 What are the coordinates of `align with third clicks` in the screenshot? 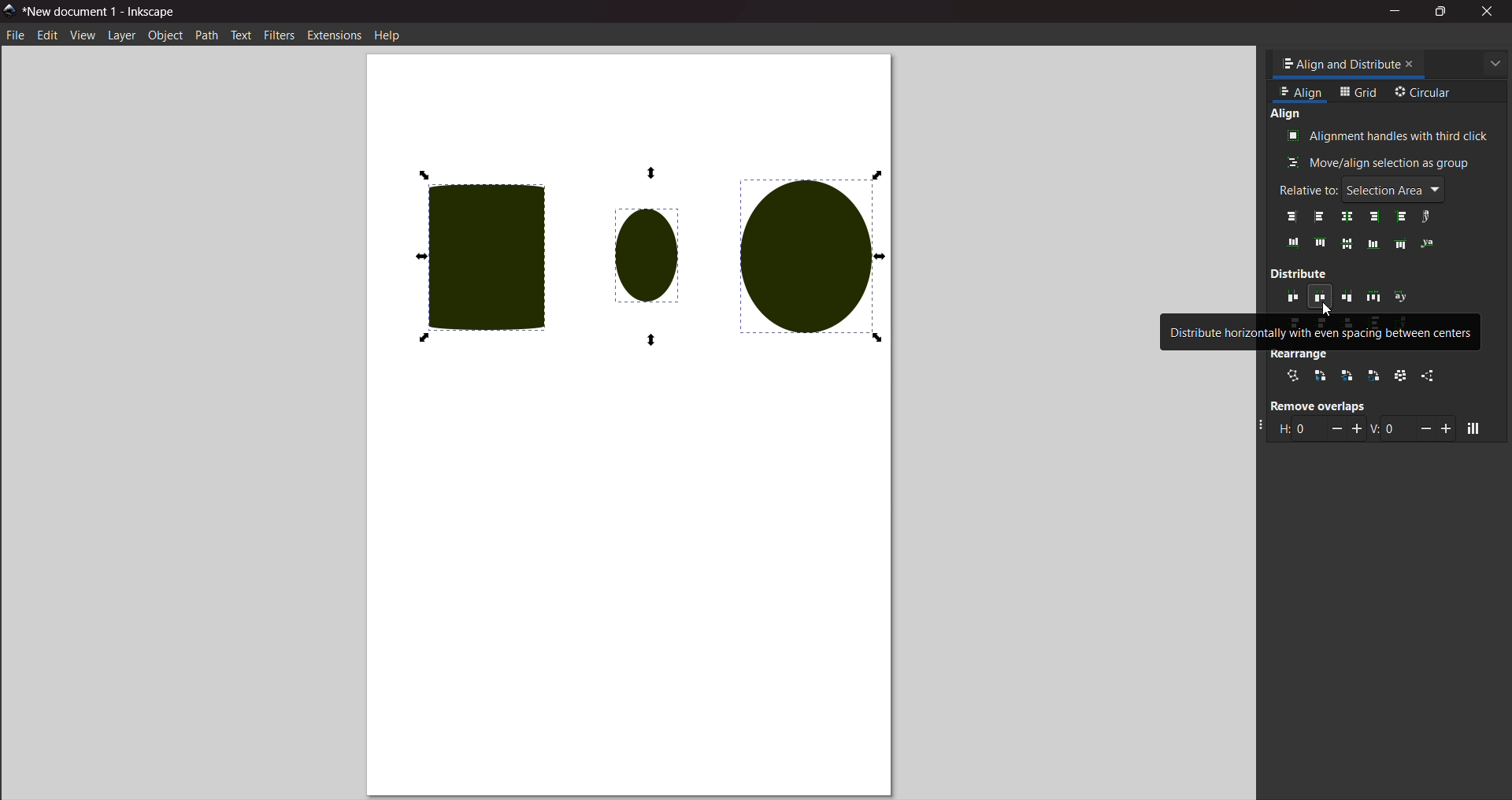 It's located at (1393, 136).